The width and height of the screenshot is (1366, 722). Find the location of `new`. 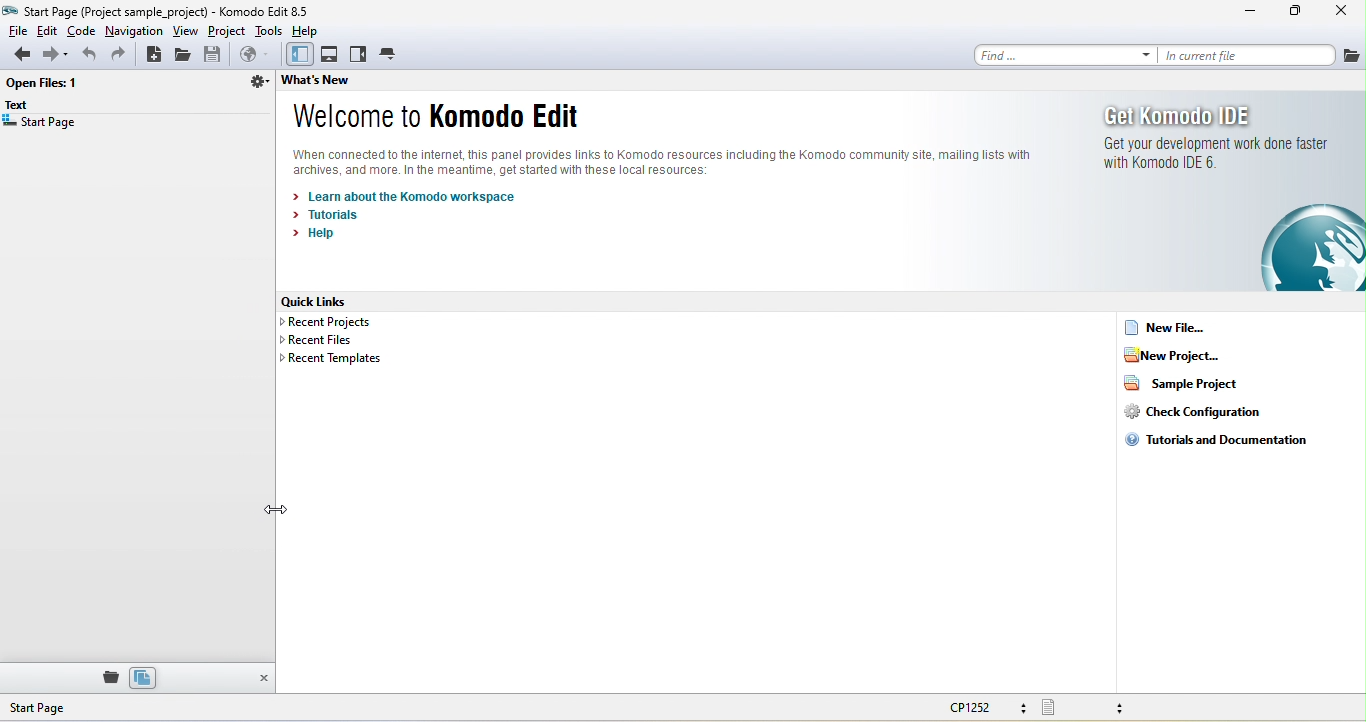

new is located at coordinates (154, 55).